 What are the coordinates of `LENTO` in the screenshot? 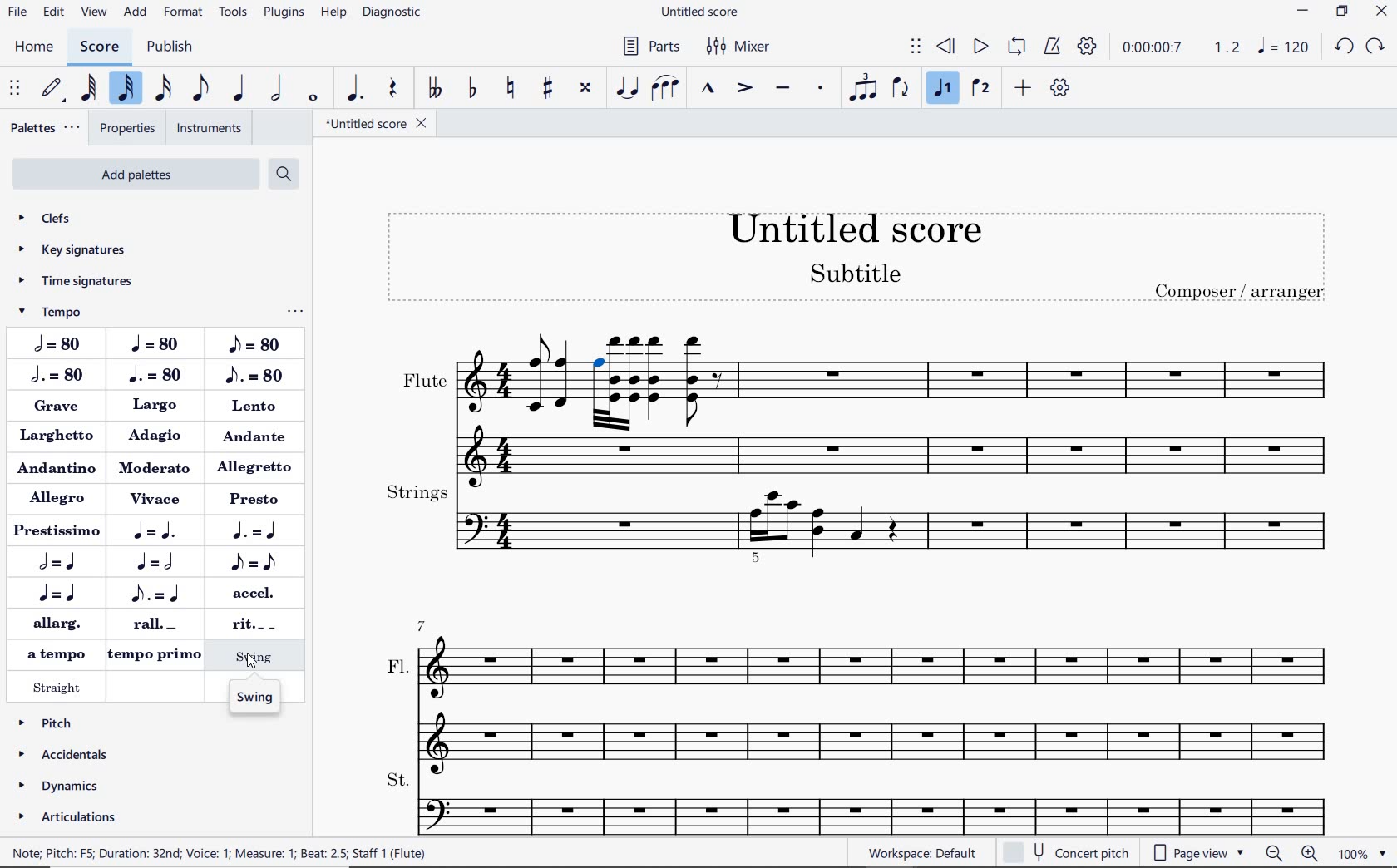 It's located at (255, 406).